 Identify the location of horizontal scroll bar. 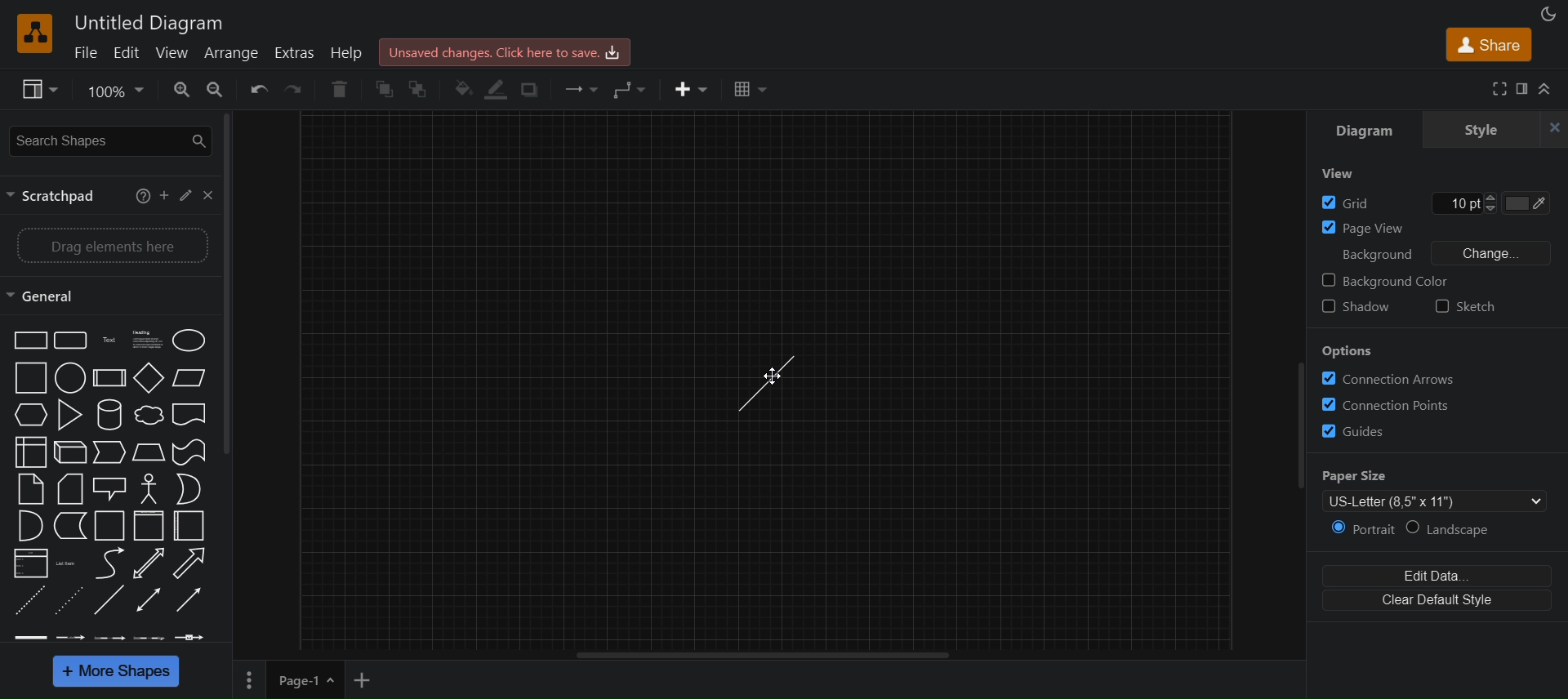
(771, 655).